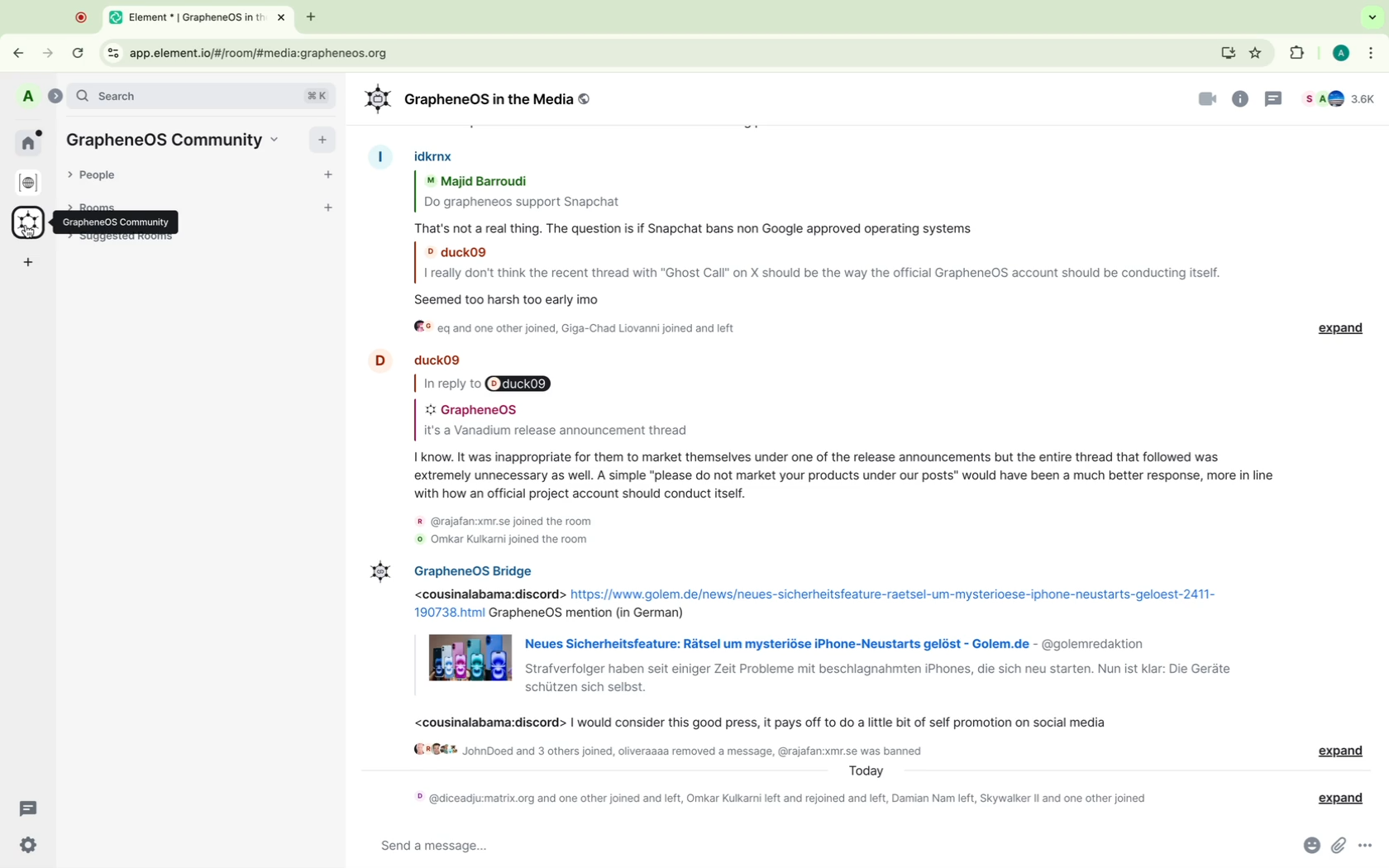  What do you see at coordinates (878, 677) in the screenshot?
I see `website description` at bounding box center [878, 677].